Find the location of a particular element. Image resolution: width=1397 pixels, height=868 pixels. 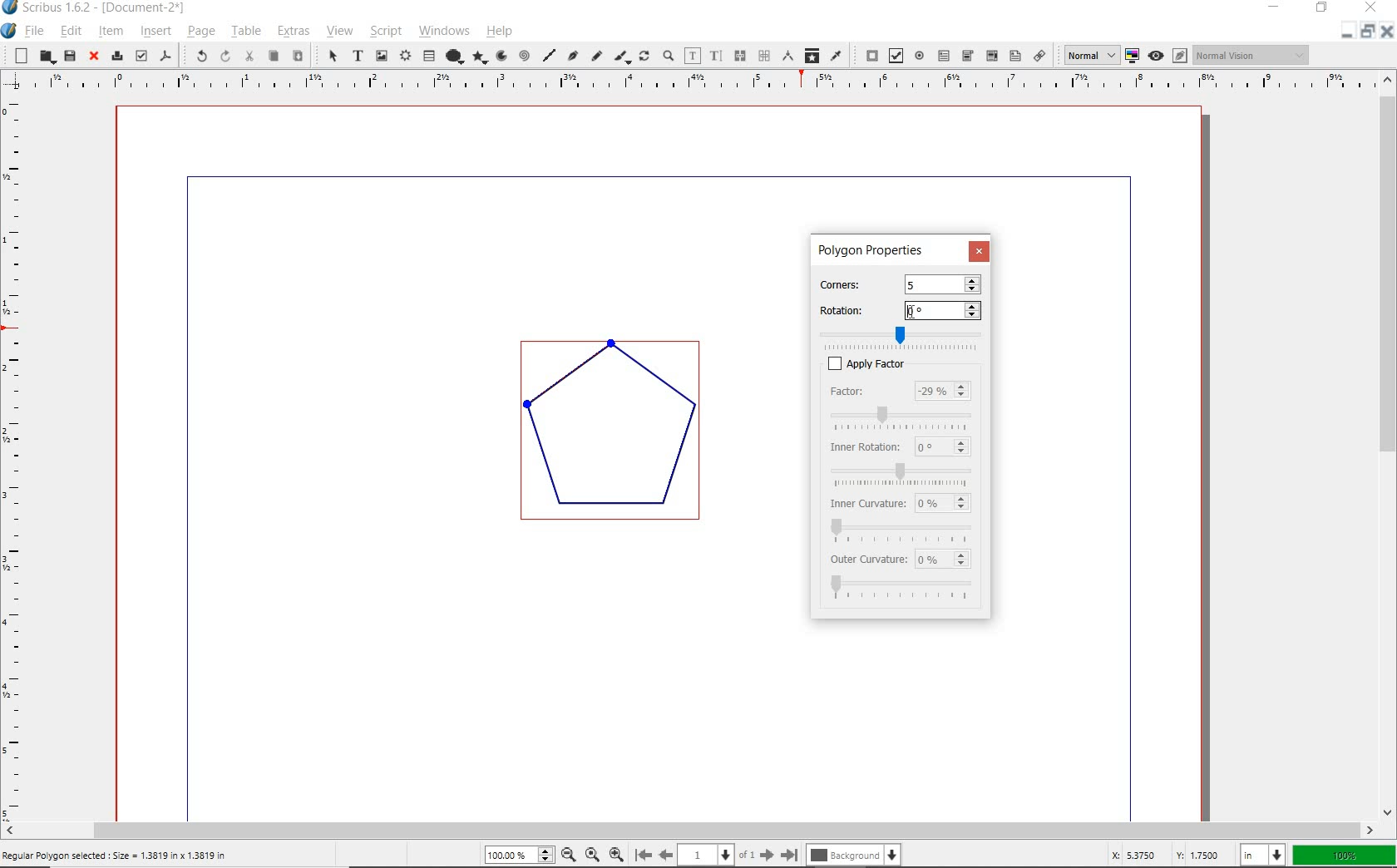

pdf text field is located at coordinates (945, 55).